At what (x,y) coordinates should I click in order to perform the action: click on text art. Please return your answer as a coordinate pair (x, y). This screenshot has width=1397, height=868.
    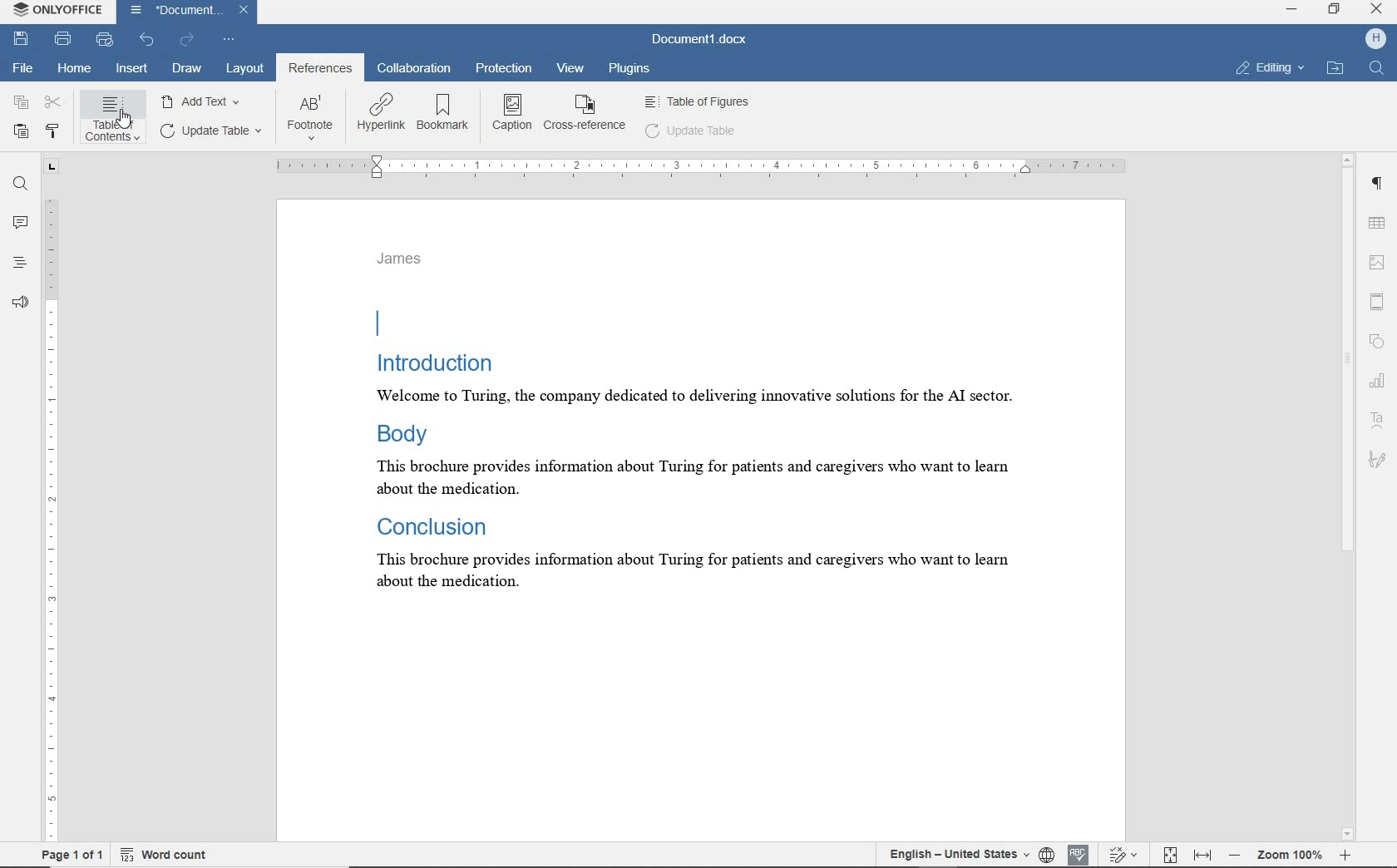
    Looking at the image, I should click on (1376, 417).